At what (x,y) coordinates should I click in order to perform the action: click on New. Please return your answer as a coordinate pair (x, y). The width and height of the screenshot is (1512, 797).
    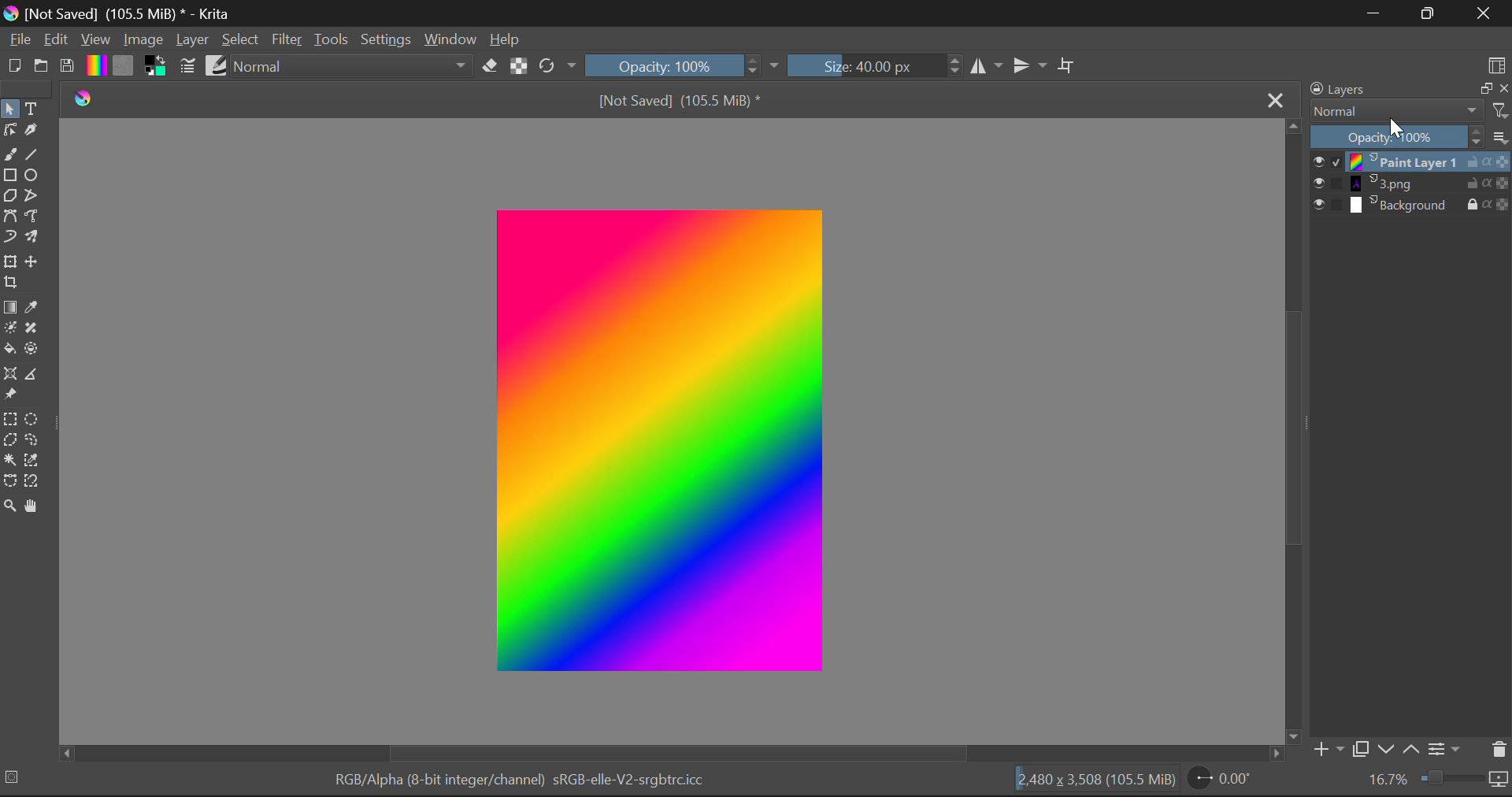
    Looking at the image, I should click on (15, 67).